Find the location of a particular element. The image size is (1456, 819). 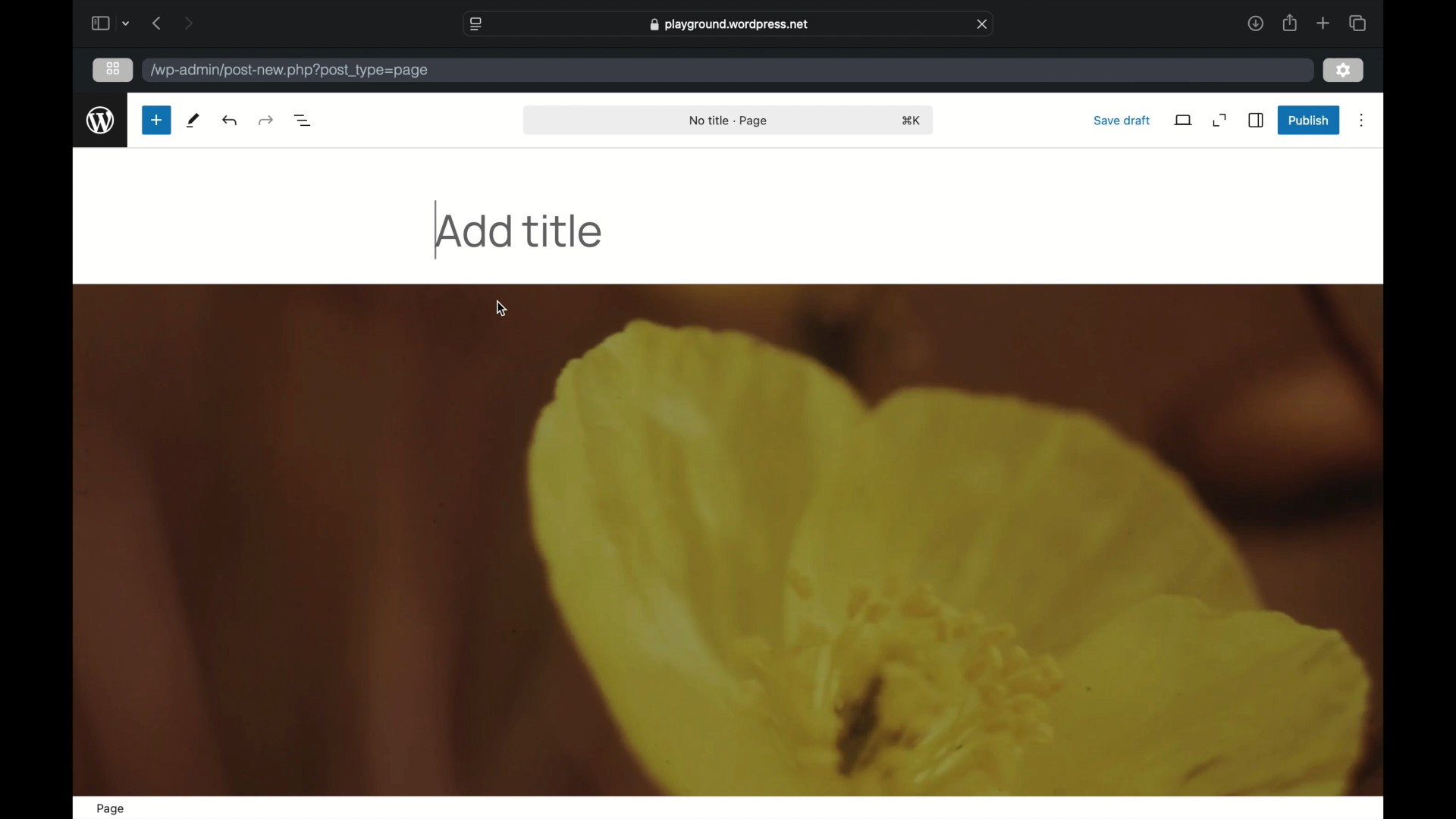

tools is located at coordinates (194, 121).